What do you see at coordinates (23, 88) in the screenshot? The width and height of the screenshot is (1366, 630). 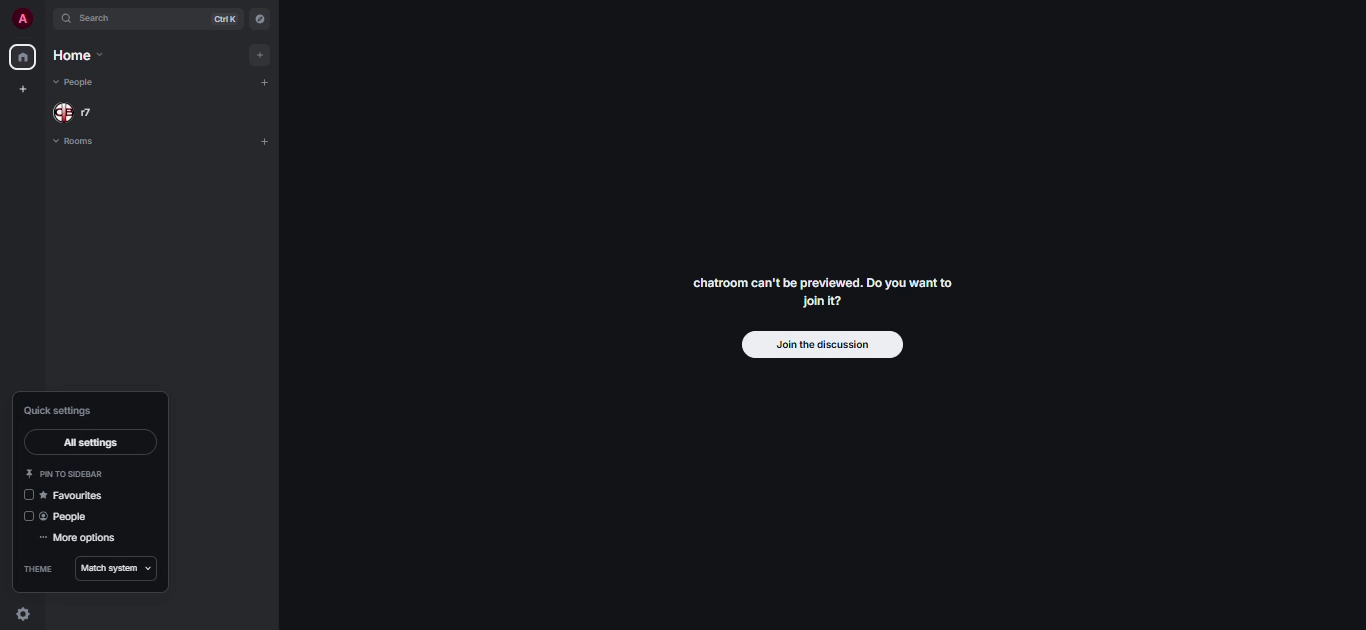 I see `create space` at bounding box center [23, 88].